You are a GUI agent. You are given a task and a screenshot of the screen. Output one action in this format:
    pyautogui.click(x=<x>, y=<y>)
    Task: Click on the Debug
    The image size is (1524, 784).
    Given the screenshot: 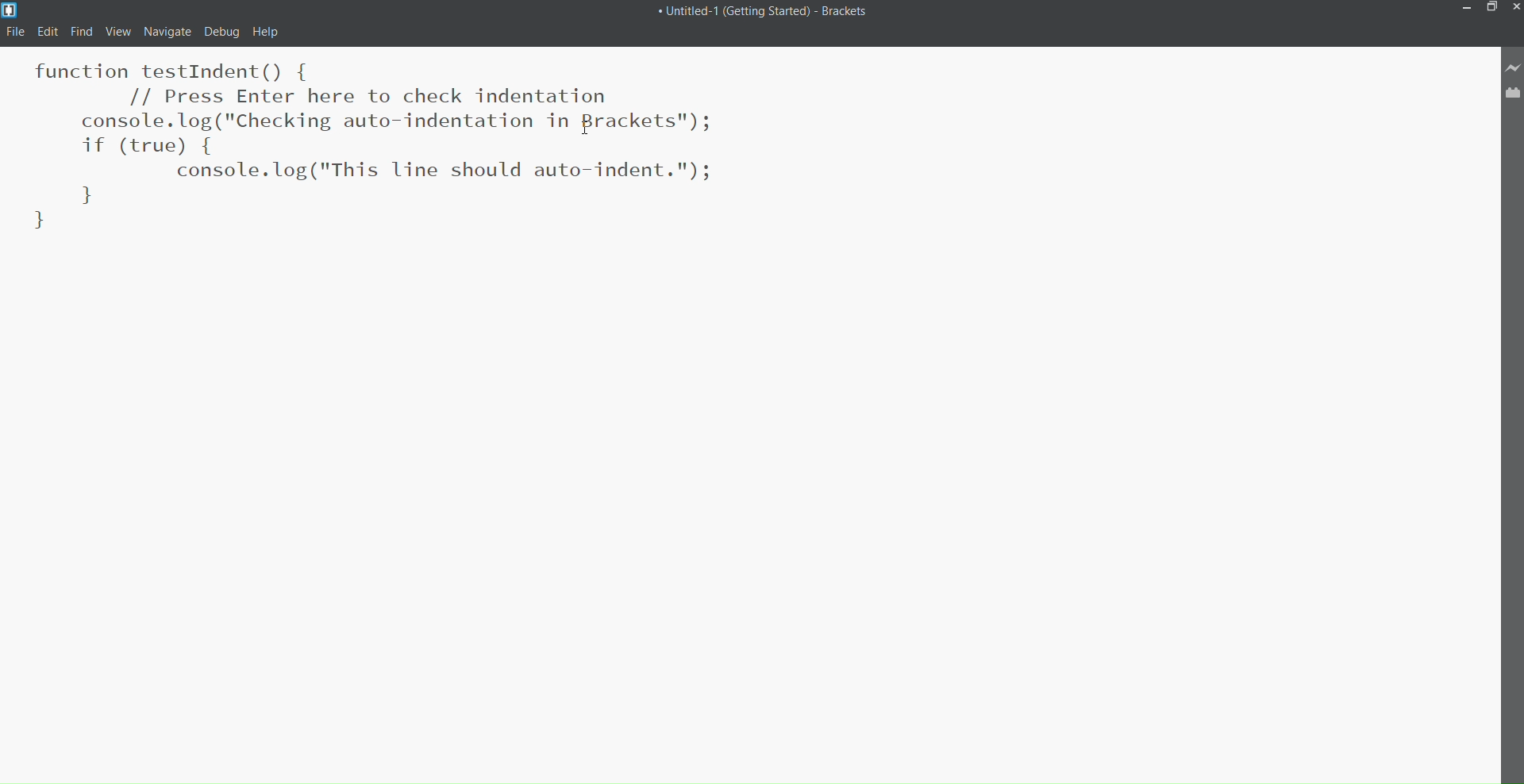 What is the action you would take?
    pyautogui.click(x=221, y=32)
    